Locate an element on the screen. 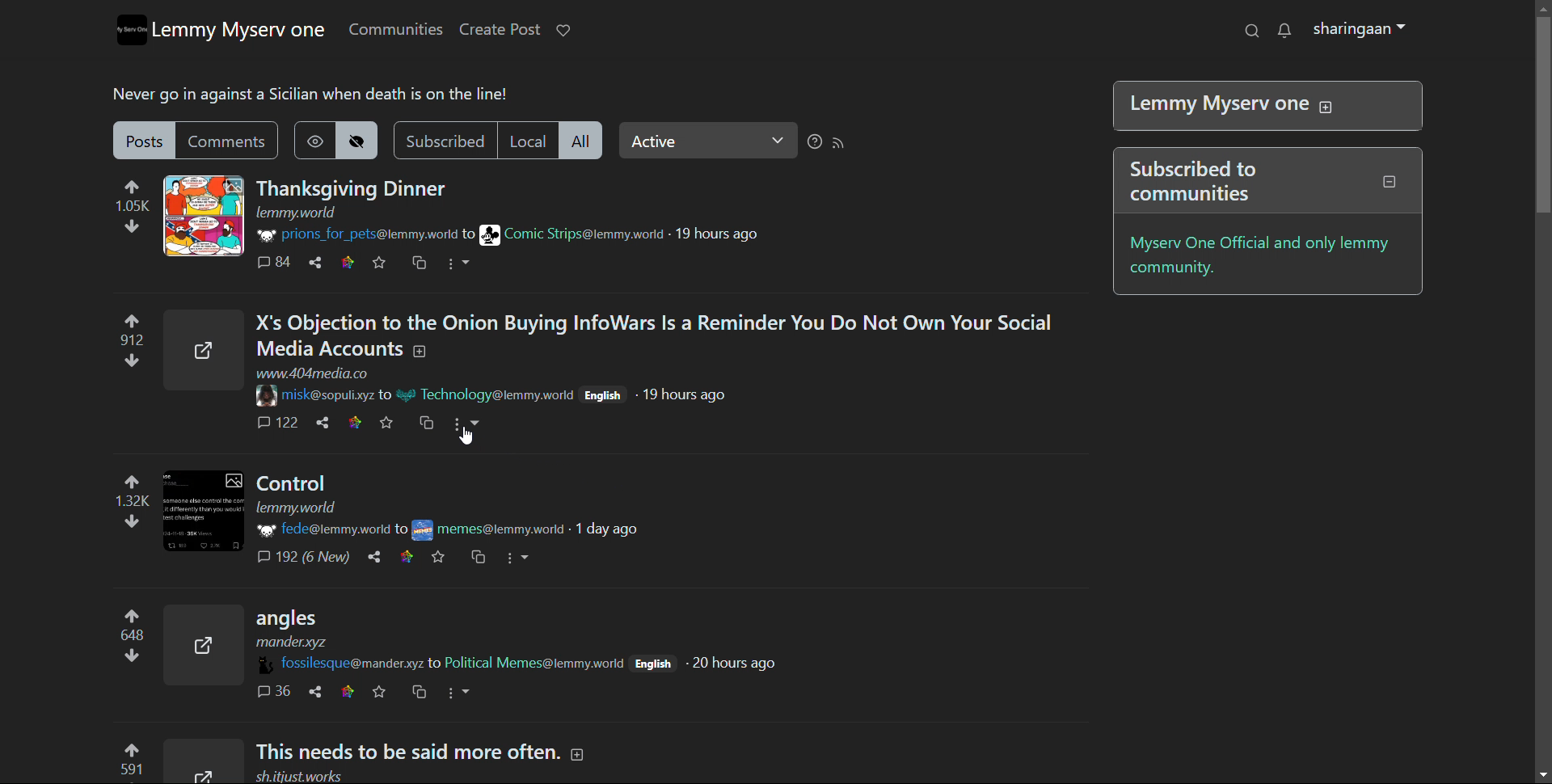  sharingaan(profile) is located at coordinates (1360, 30).